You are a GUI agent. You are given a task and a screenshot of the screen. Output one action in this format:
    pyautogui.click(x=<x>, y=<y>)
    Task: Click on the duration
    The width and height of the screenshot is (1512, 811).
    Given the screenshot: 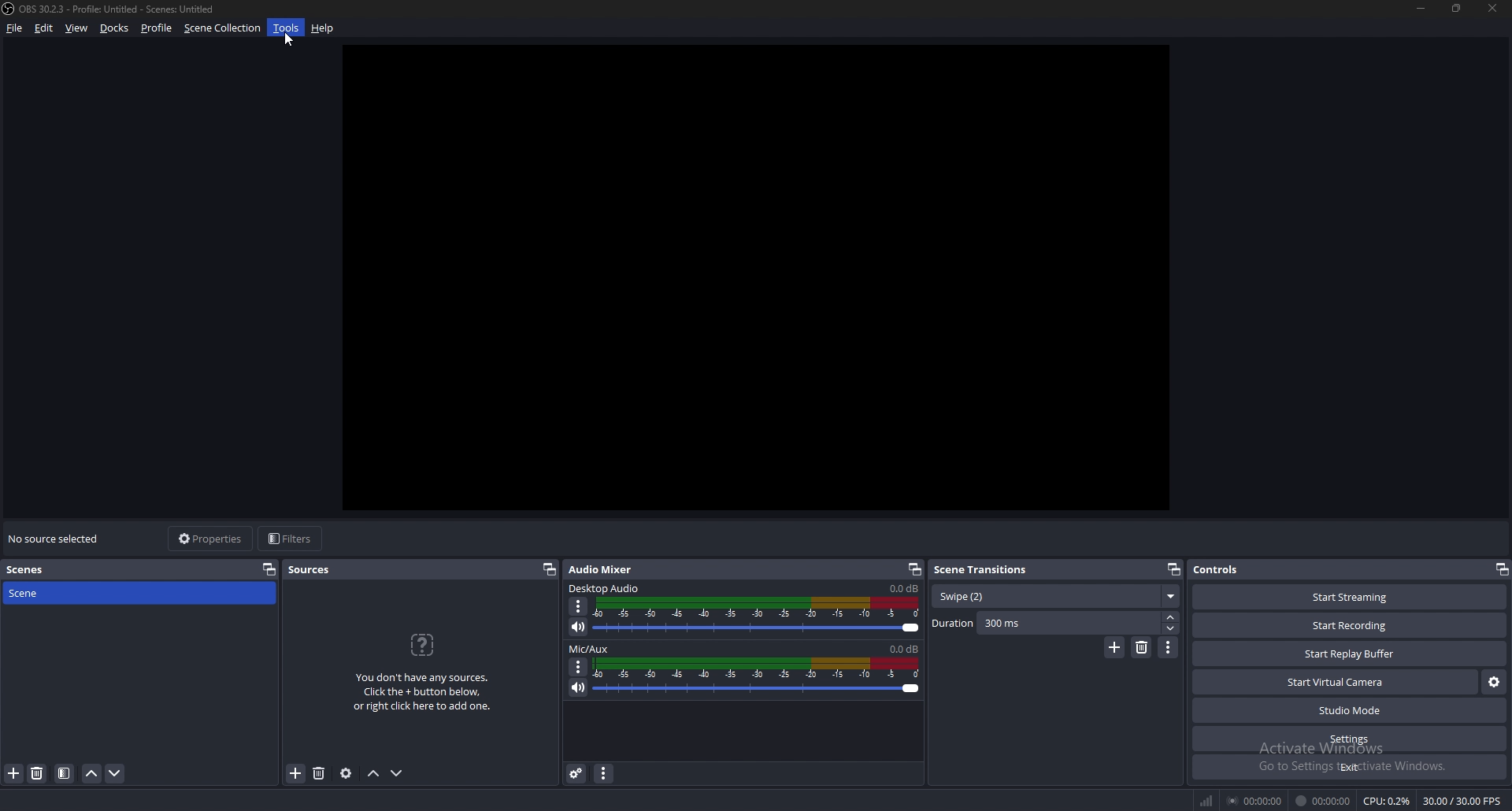 What is the action you would take?
    pyautogui.click(x=1046, y=623)
    